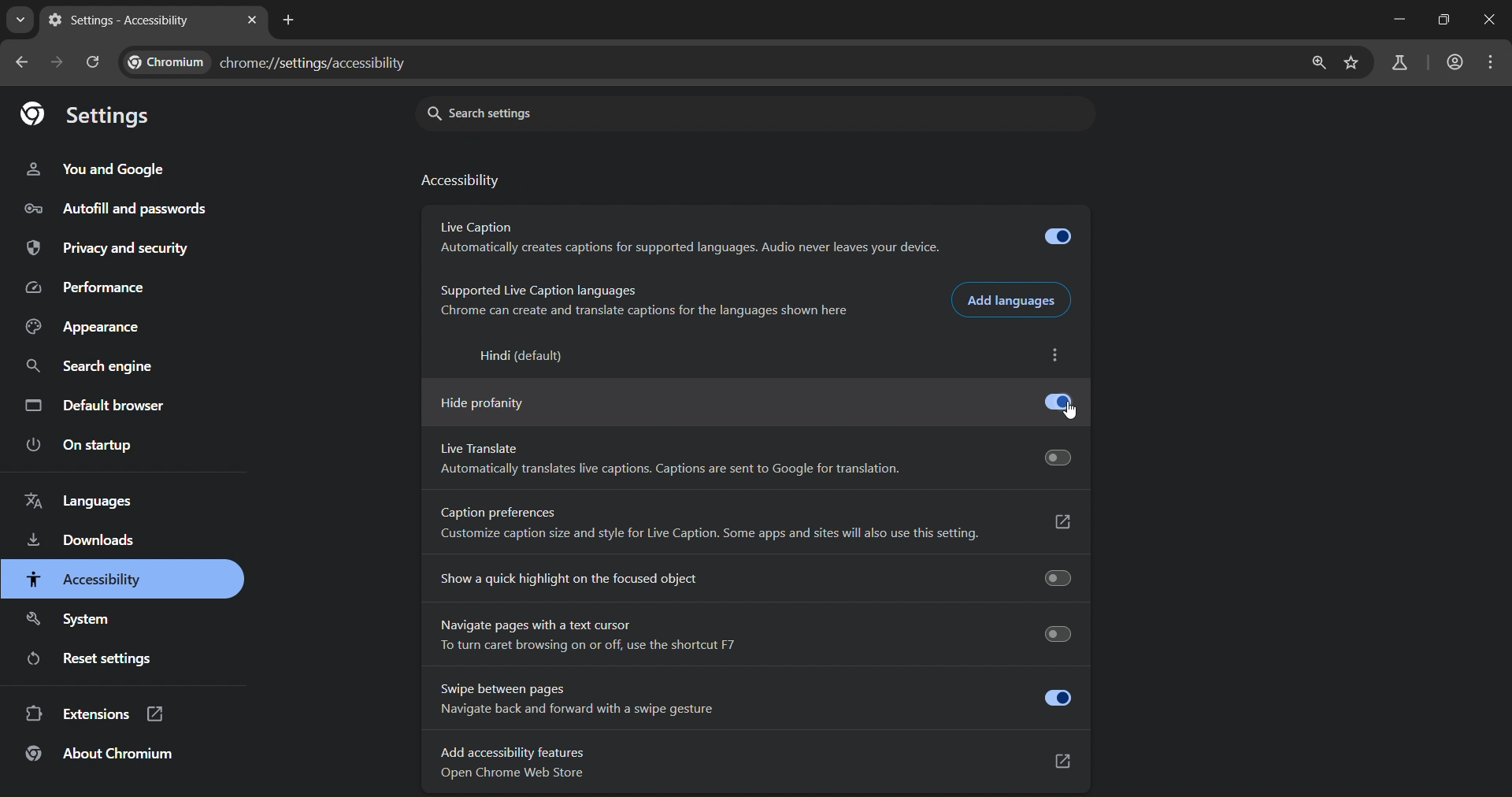  Describe the element at coordinates (758, 525) in the screenshot. I see `Caption preferences
Customize caption size and style for Live Caption. Some apps and sites will also use this setting.` at that location.